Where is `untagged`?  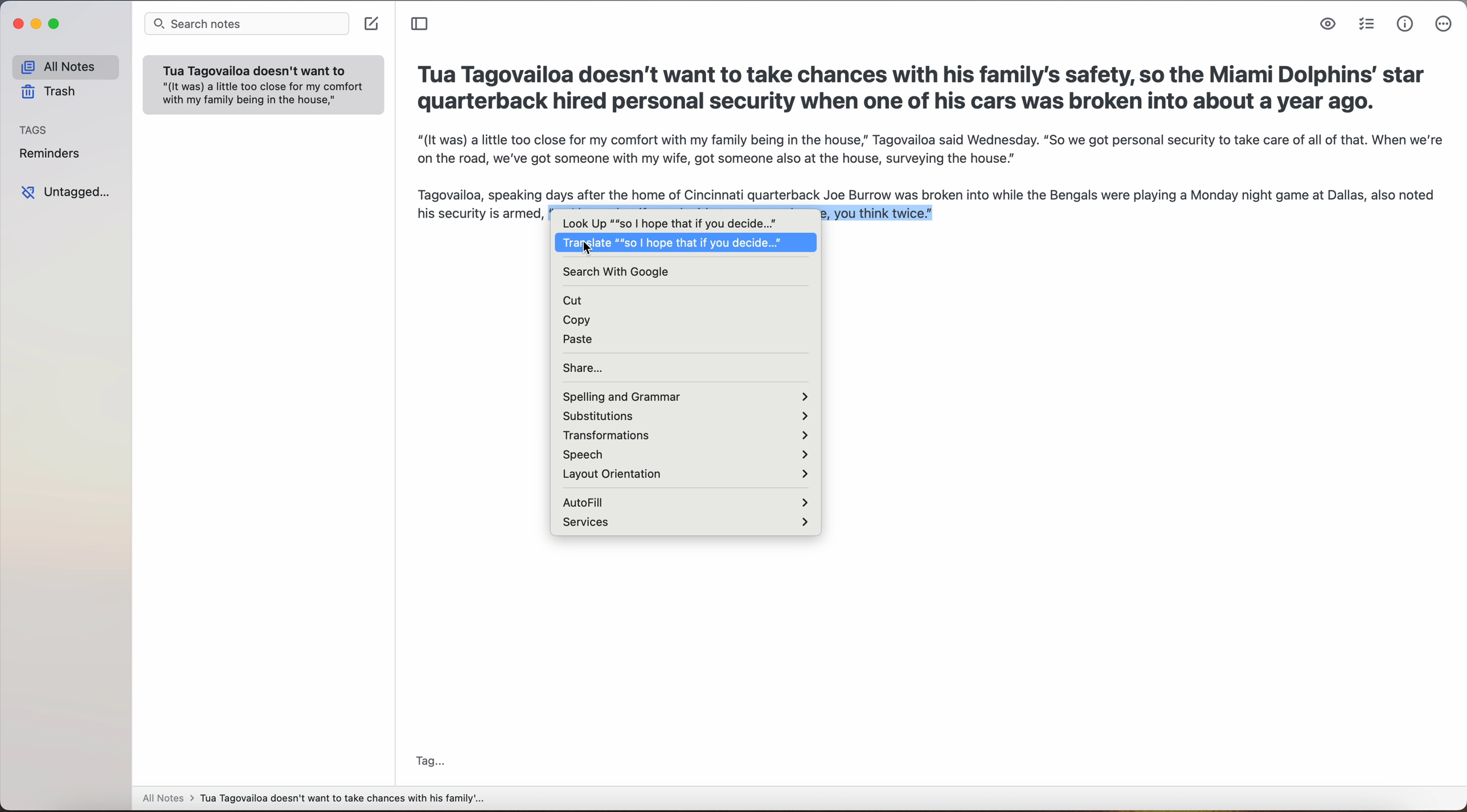 untagged is located at coordinates (68, 192).